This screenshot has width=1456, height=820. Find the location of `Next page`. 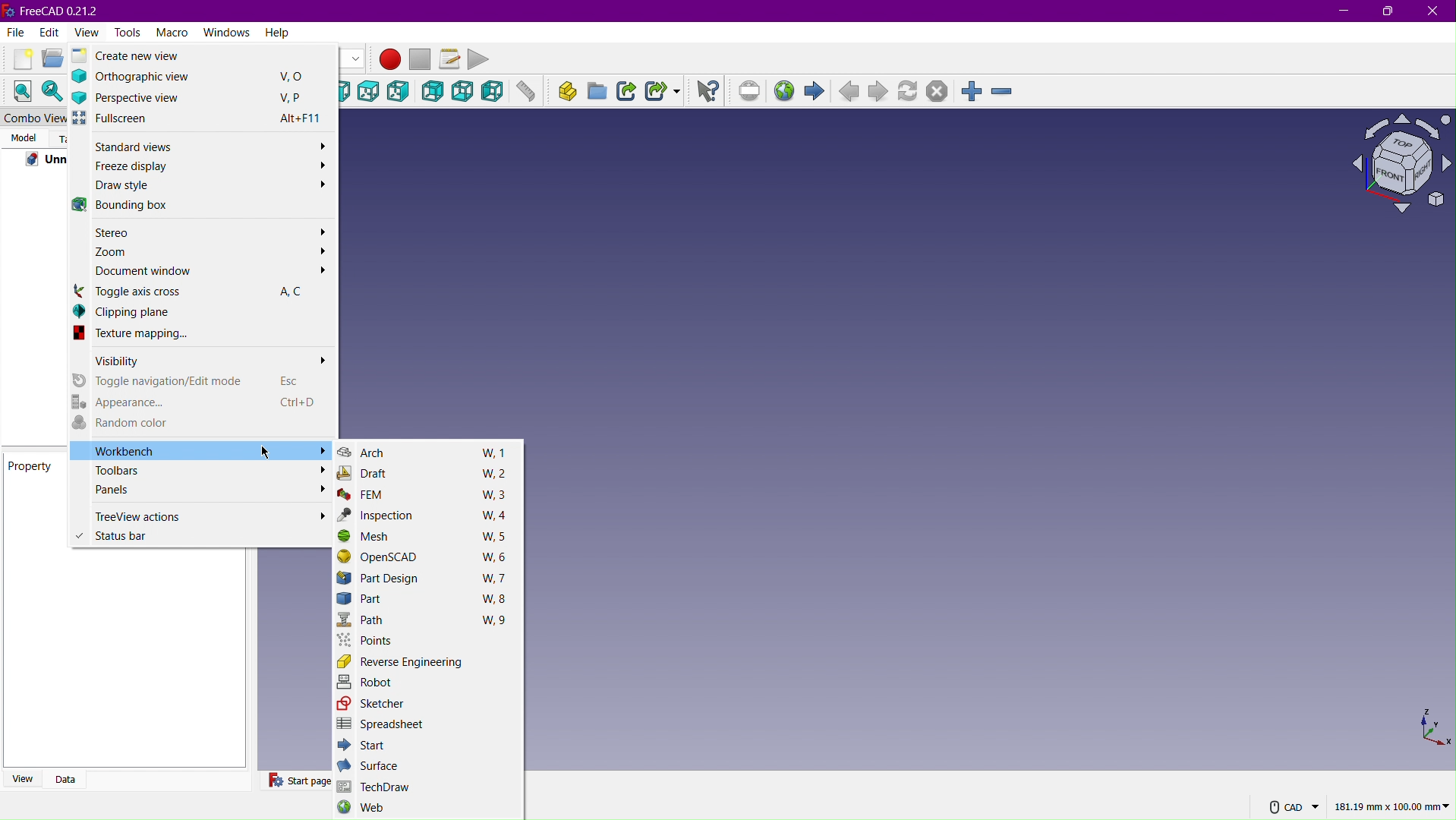

Next page is located at coordinates (877, 92).